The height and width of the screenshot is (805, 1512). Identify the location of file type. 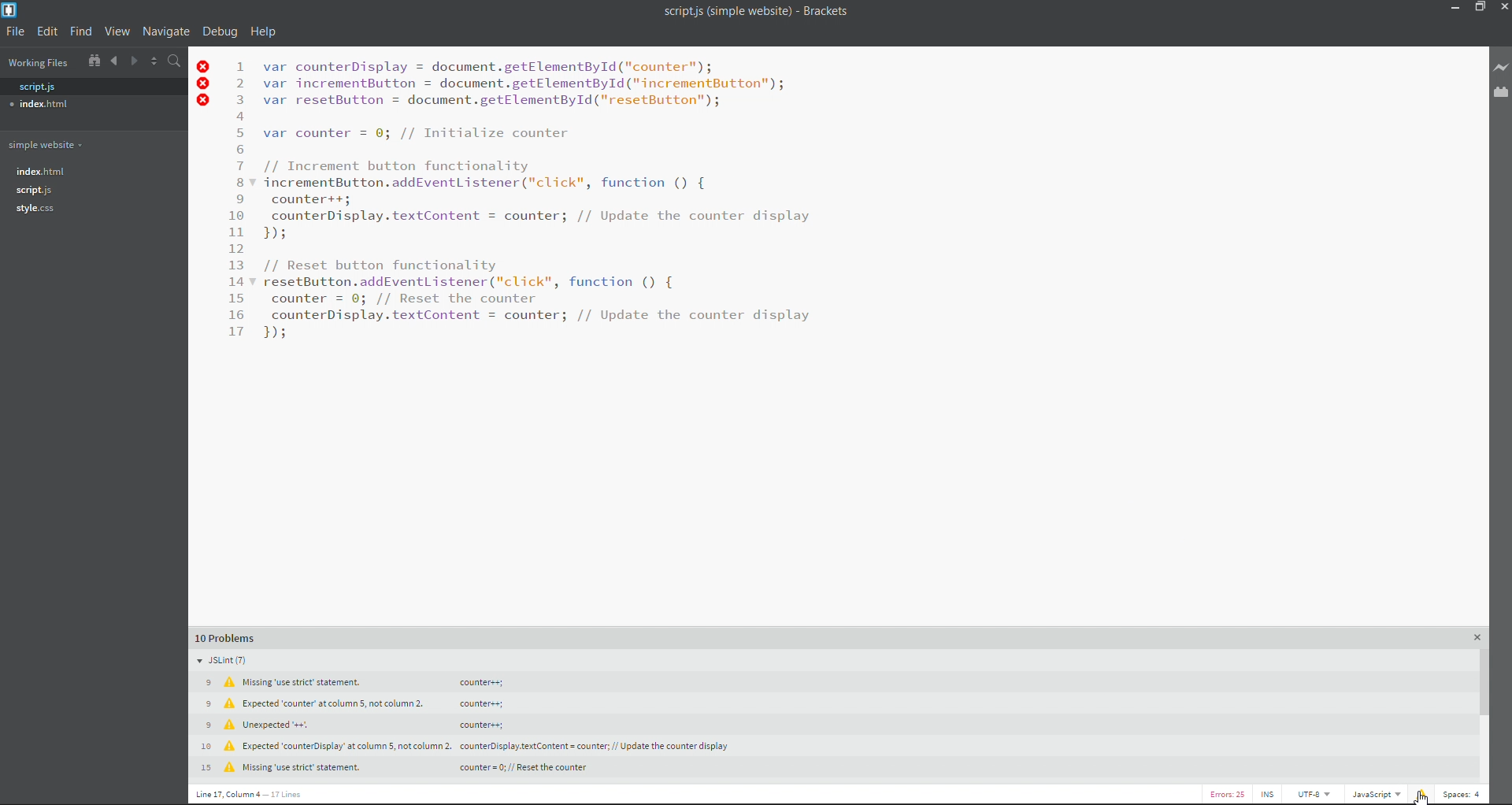
(1375, 795).